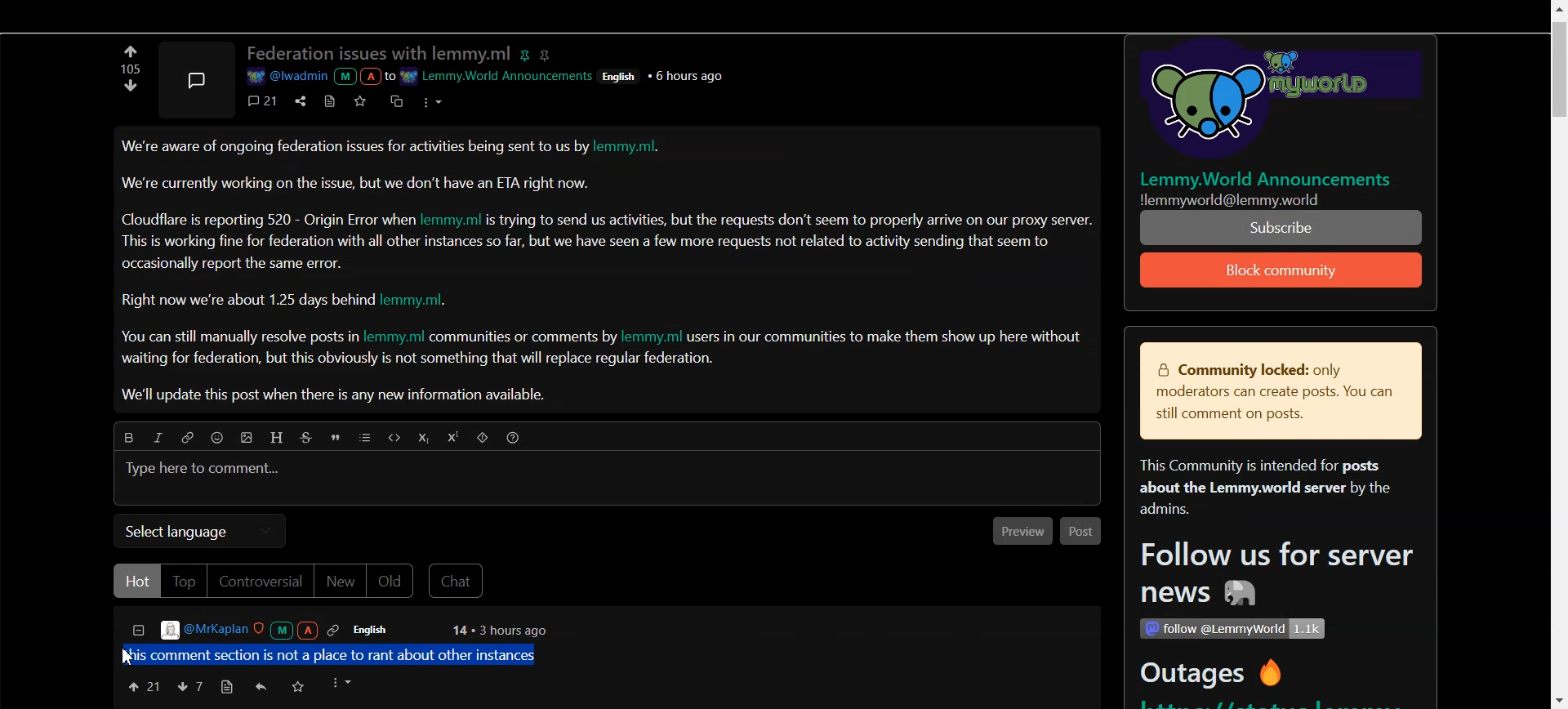 The width and height of the screenshot is (1568, 709). I want to click on , so click(1232, 629).